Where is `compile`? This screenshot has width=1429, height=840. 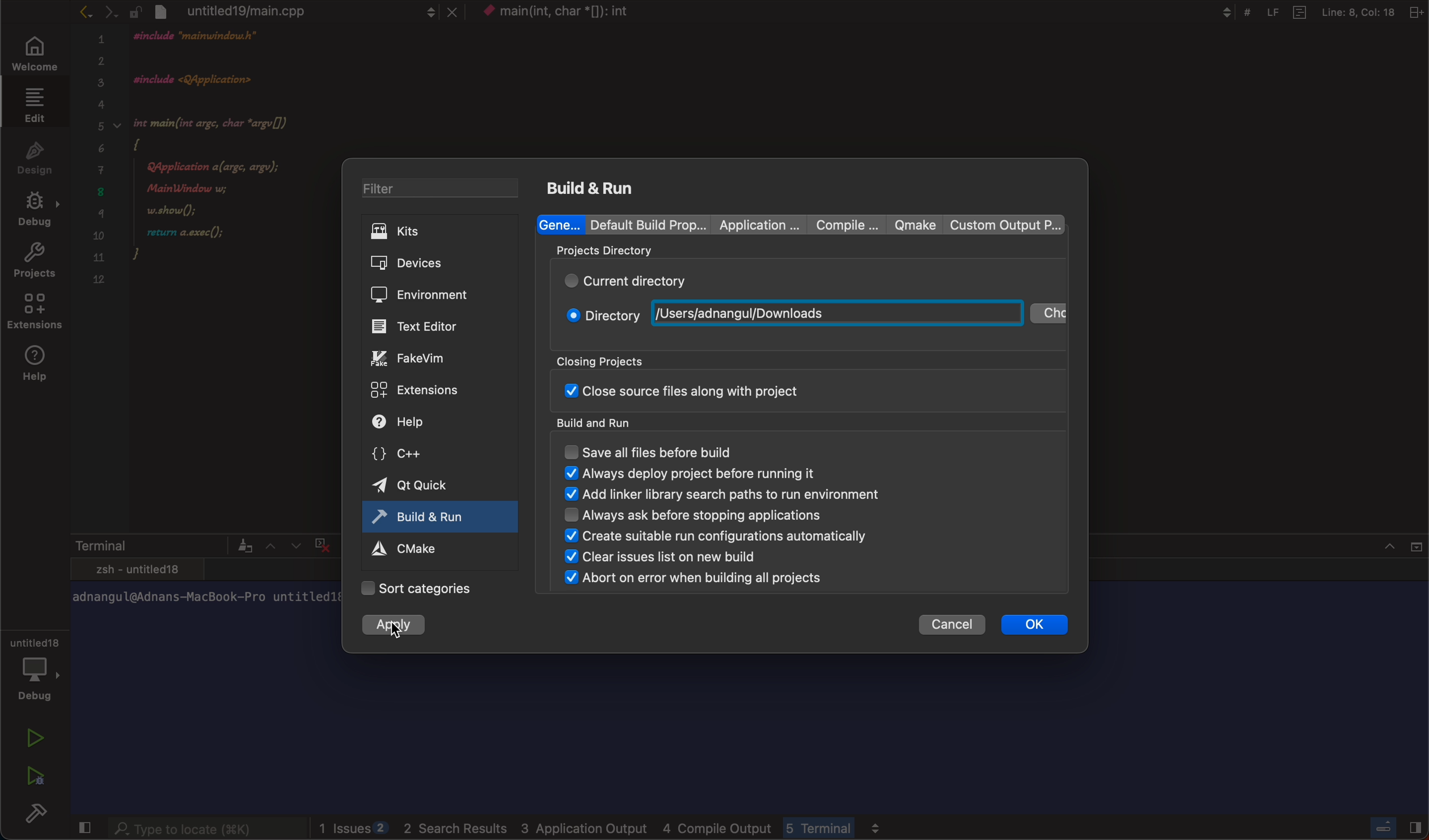 compile is located at coordinates (844, 224).